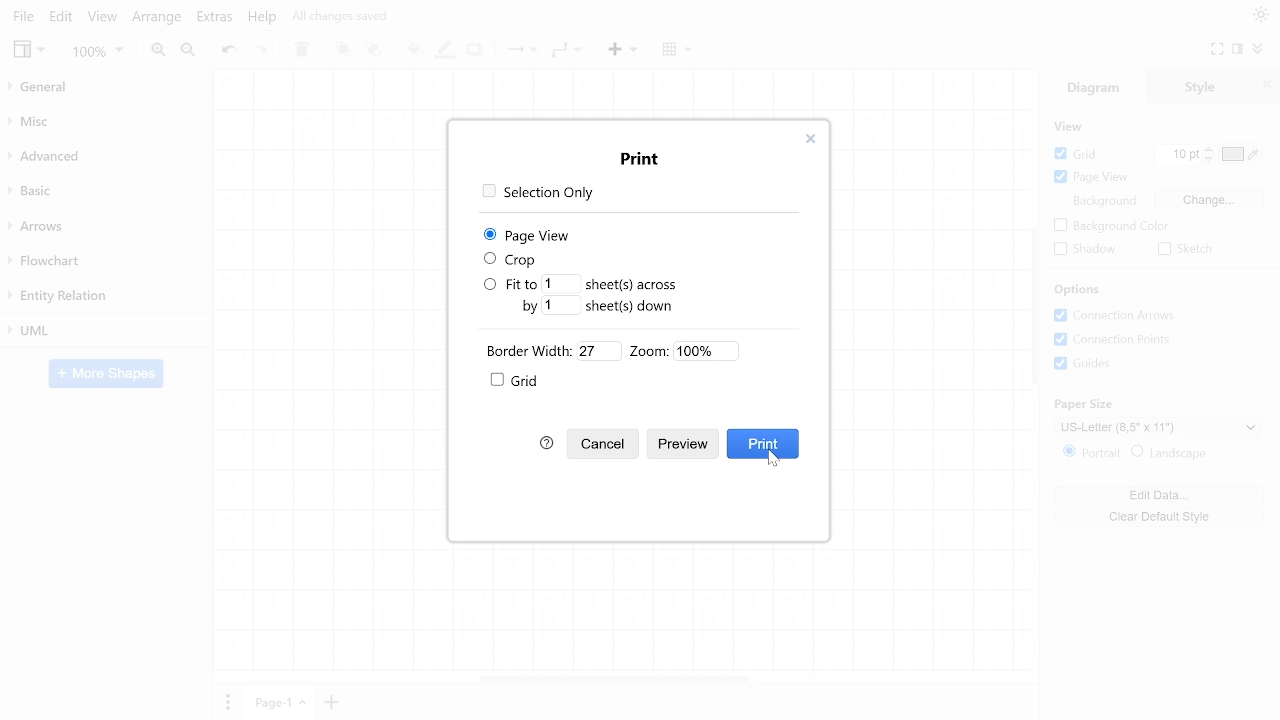 This screenshot has height=720, width=1280. Describe the element at coordinates (1092, 454) in the screenshot. I see `Potrait` at that location.